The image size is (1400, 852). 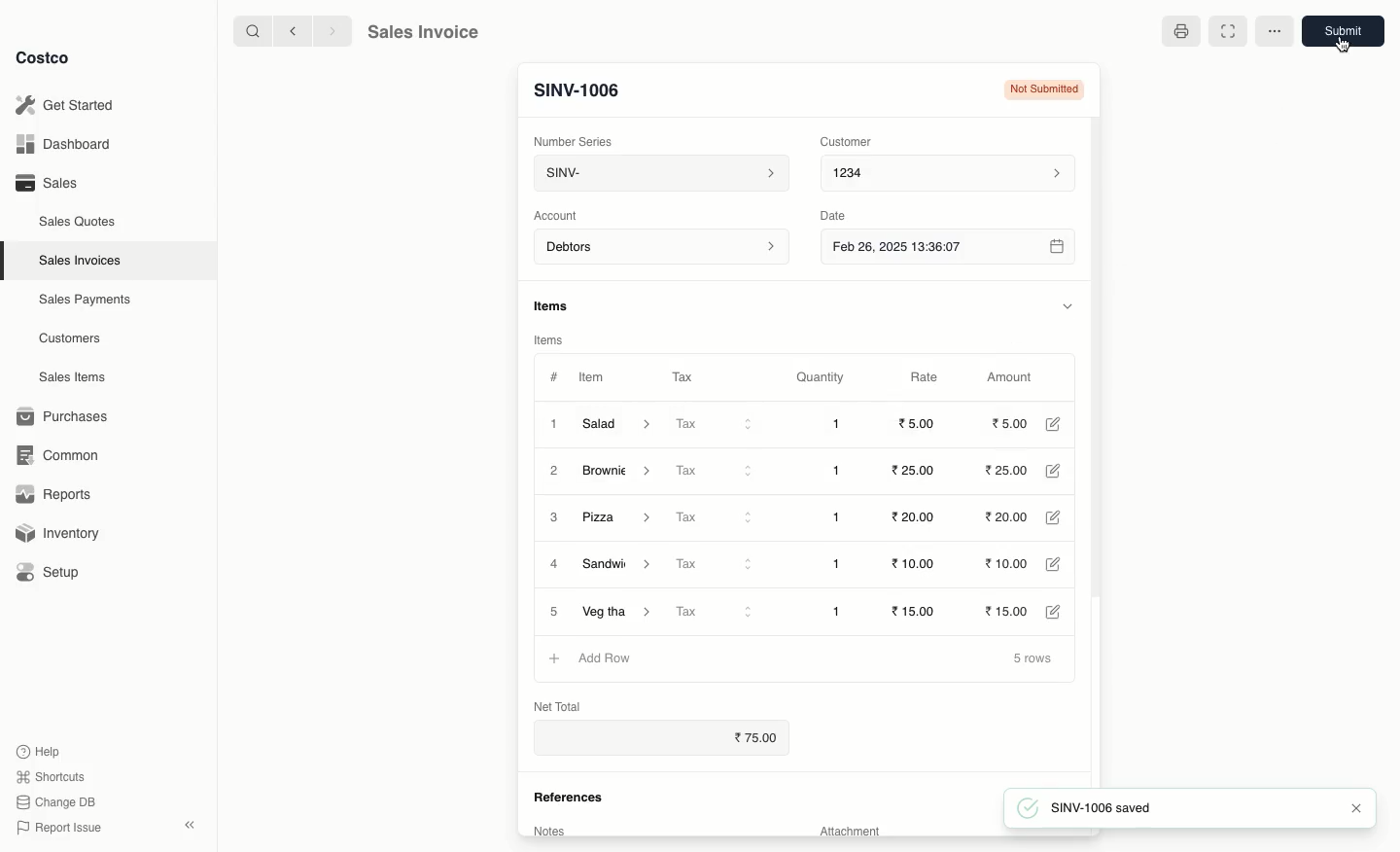 What do you see at coordinates (570, 142) in the screenshot?
I see `‘Number Series` at bounding box center [570, 142].